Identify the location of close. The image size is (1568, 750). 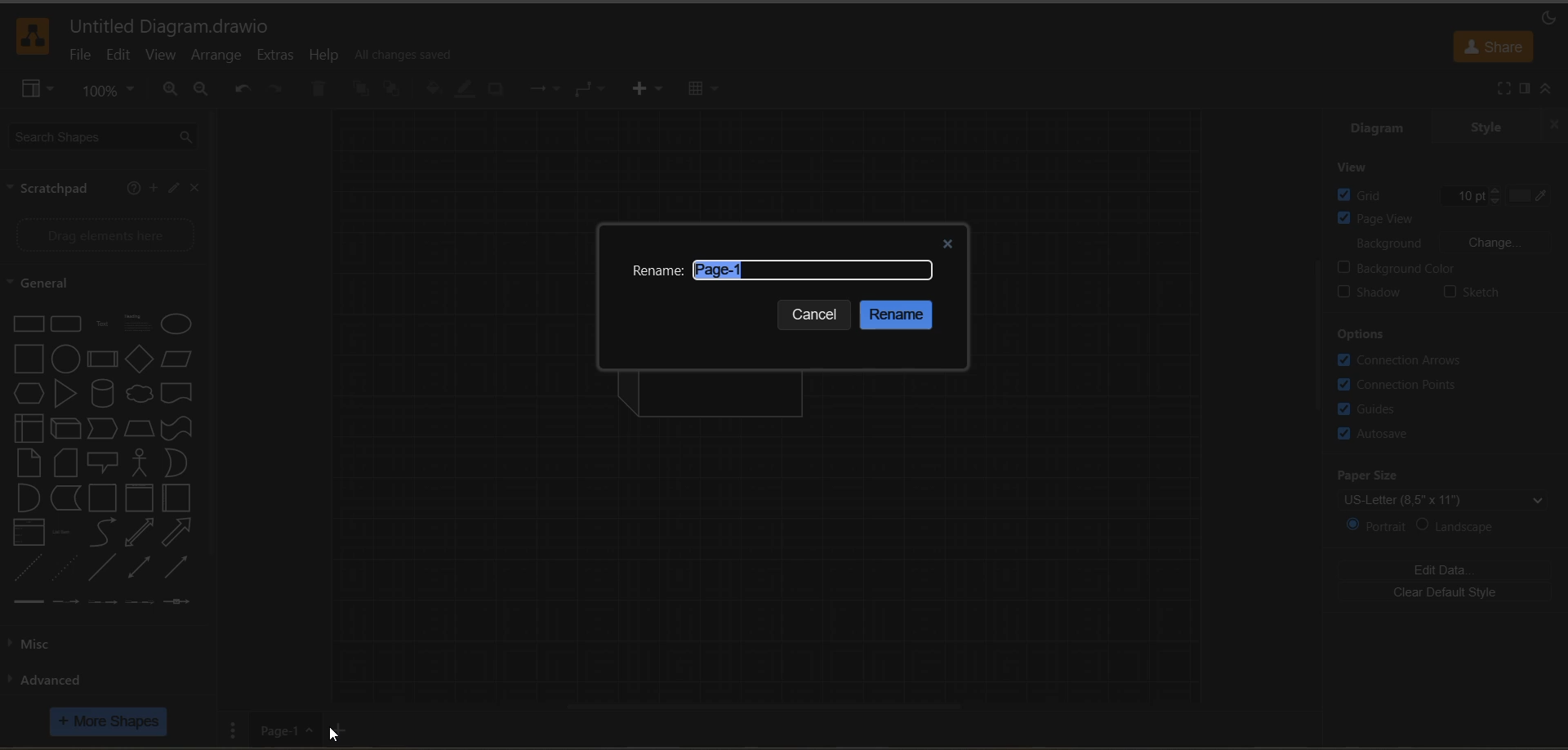
(947, 240).